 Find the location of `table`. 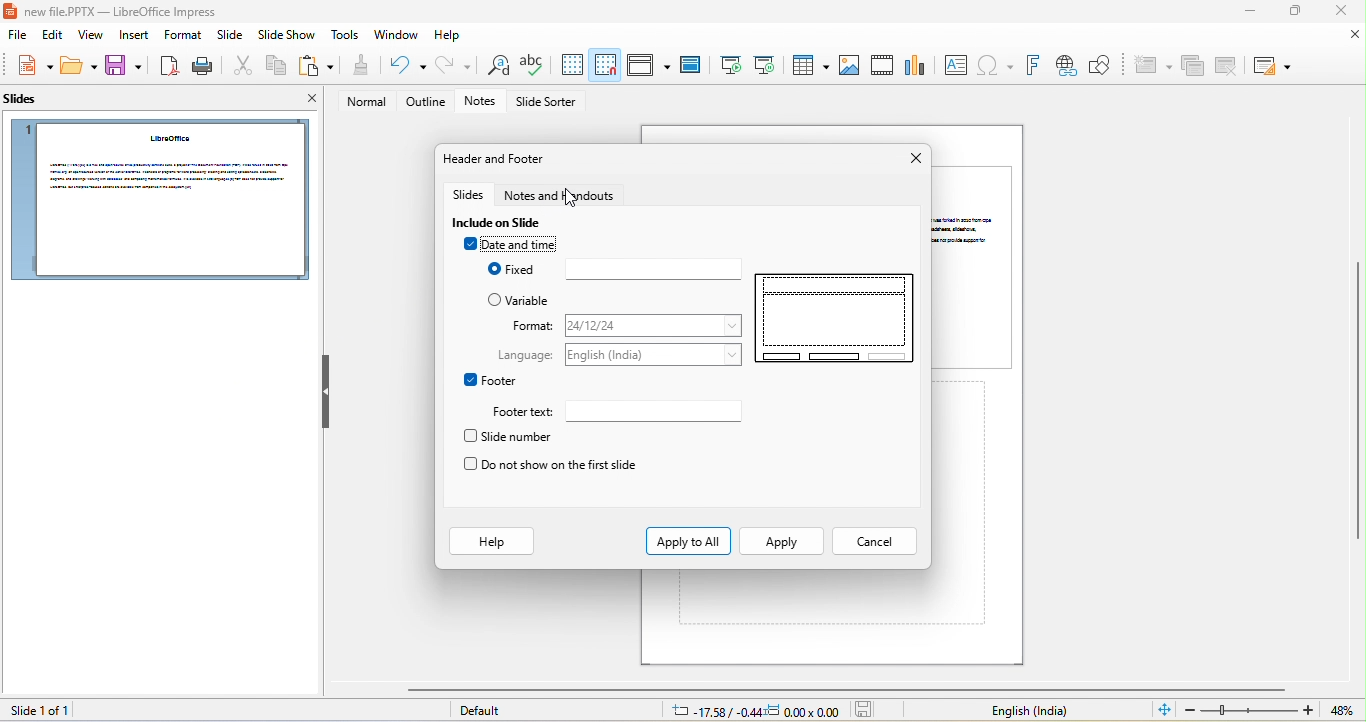

table is located at coordinates (808, 64).